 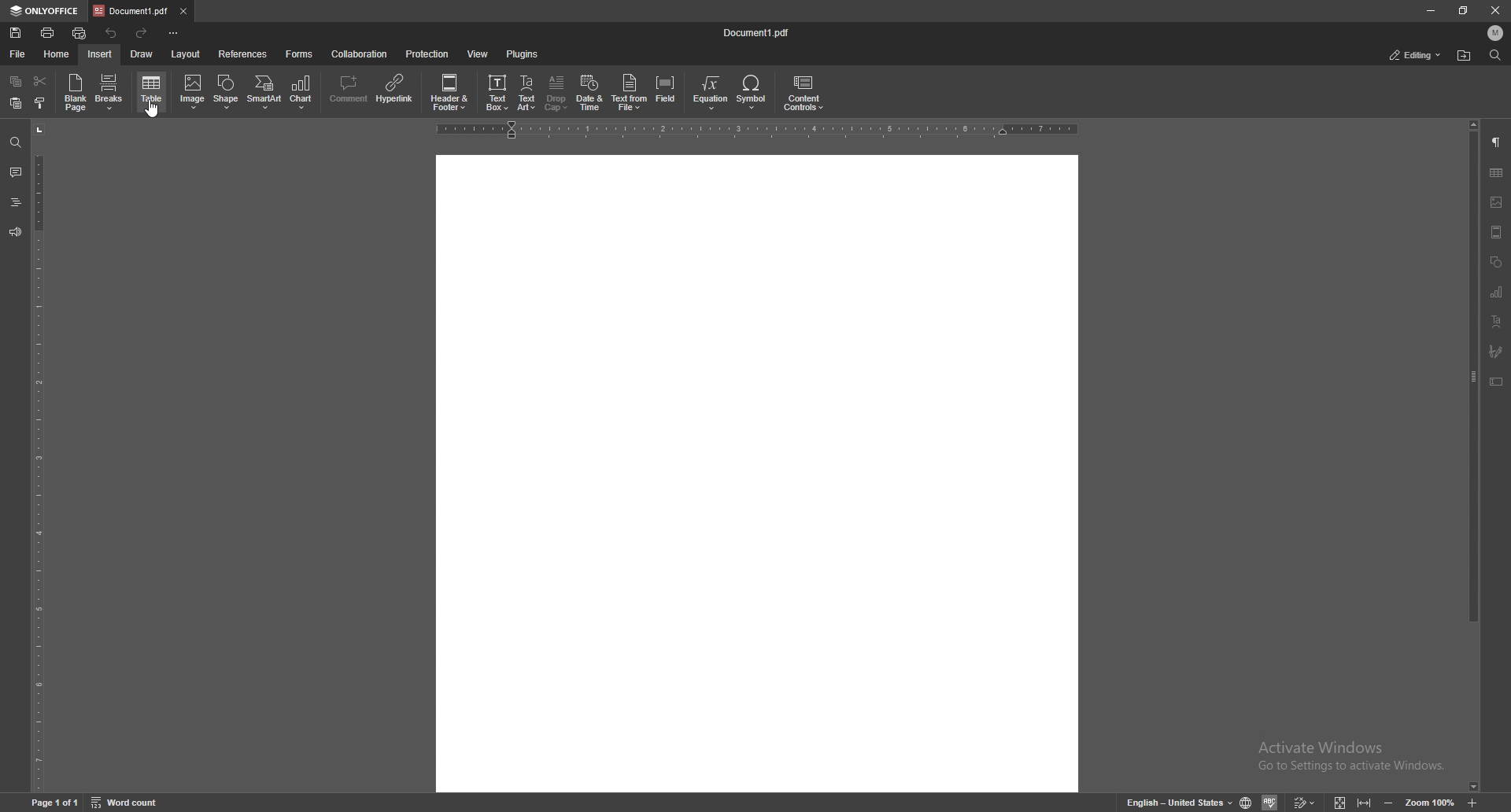 I want to click on view, so click(x=478, y=54).